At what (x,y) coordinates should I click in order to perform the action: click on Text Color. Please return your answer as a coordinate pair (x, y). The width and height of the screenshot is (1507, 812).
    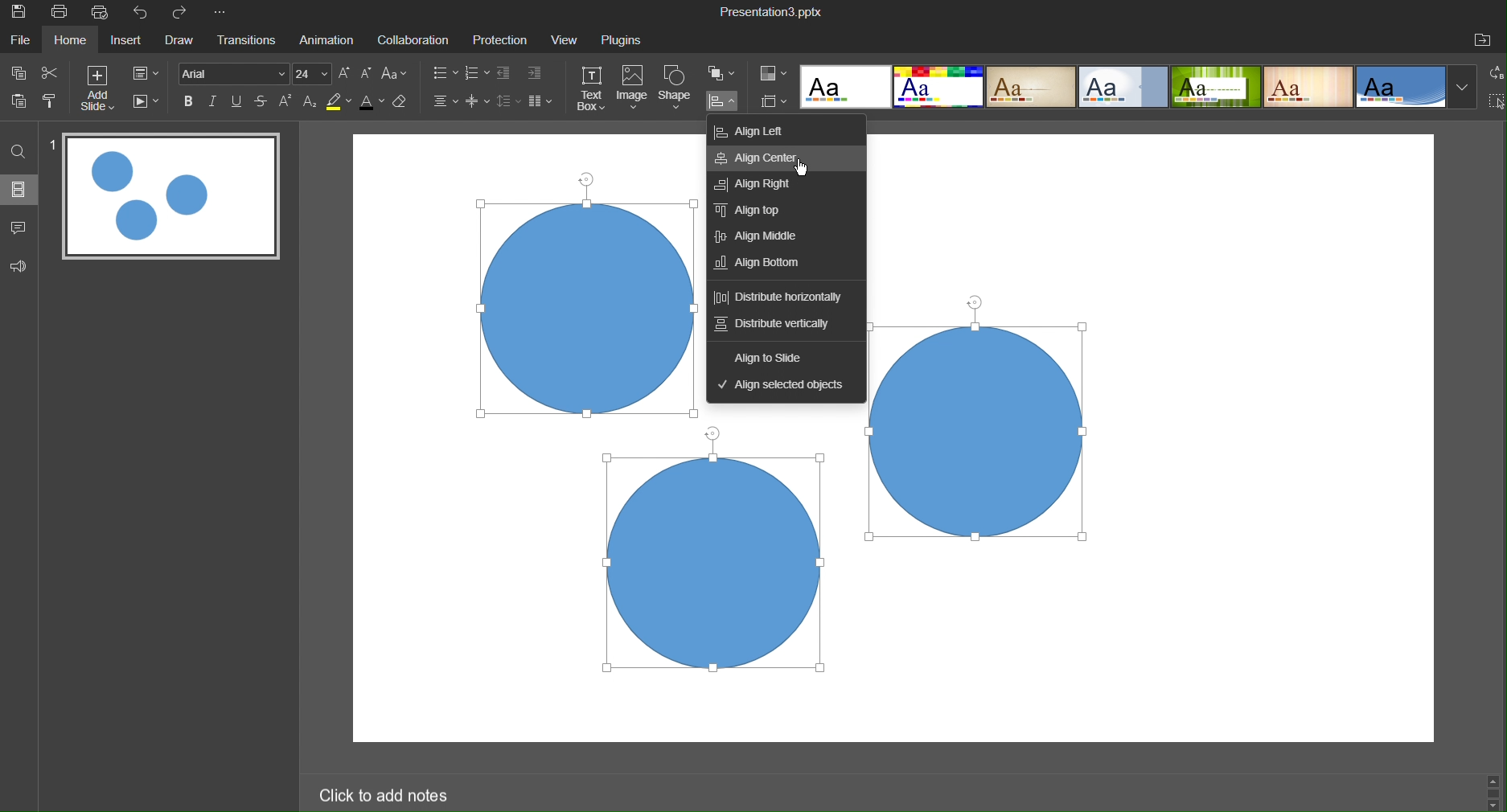
    Looking at the image, I should click on (371, 105).